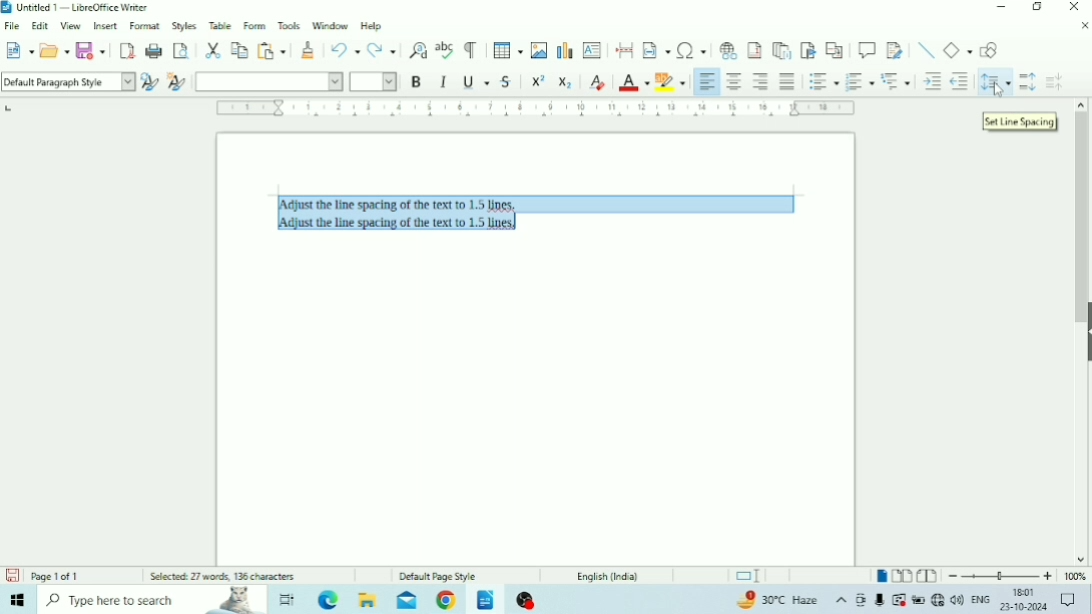 This screenshot has width=1092, height=614. I want to click on Meet Now, so click(862, 600).